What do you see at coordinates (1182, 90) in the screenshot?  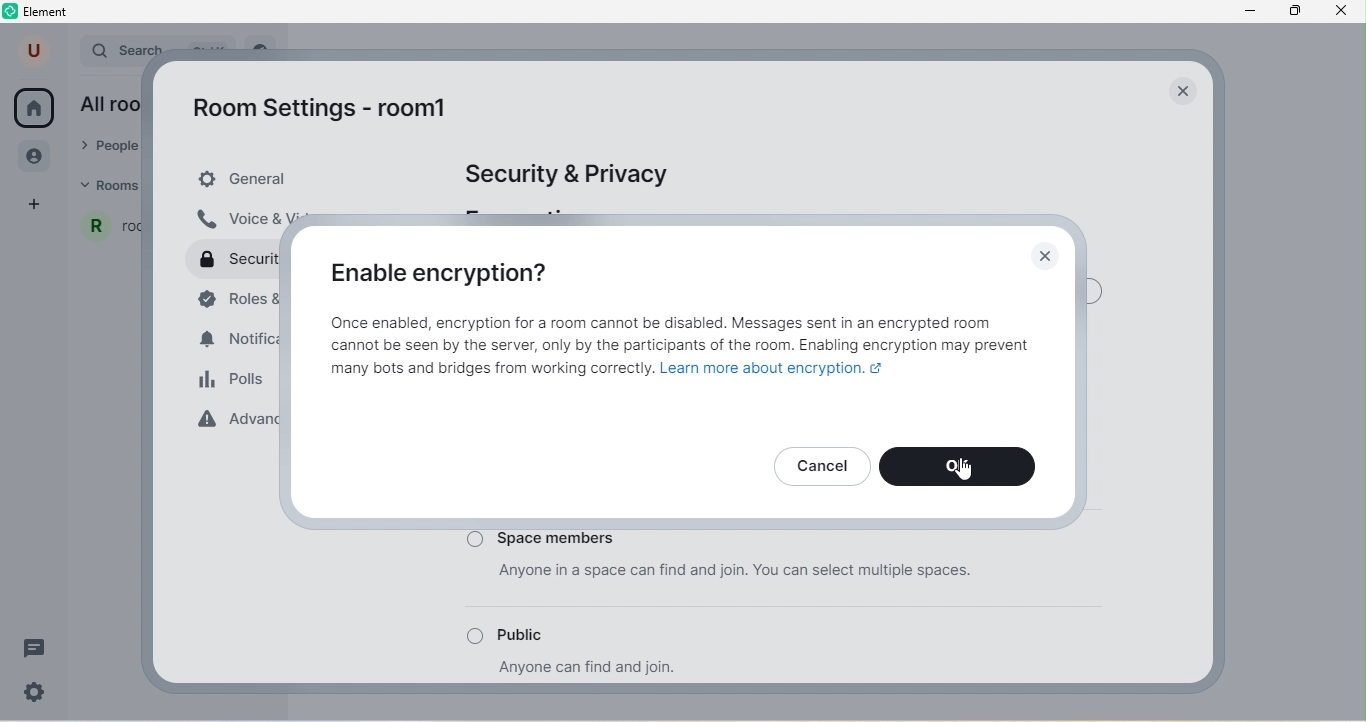 I see `close` at bounding box center [1182, 90].